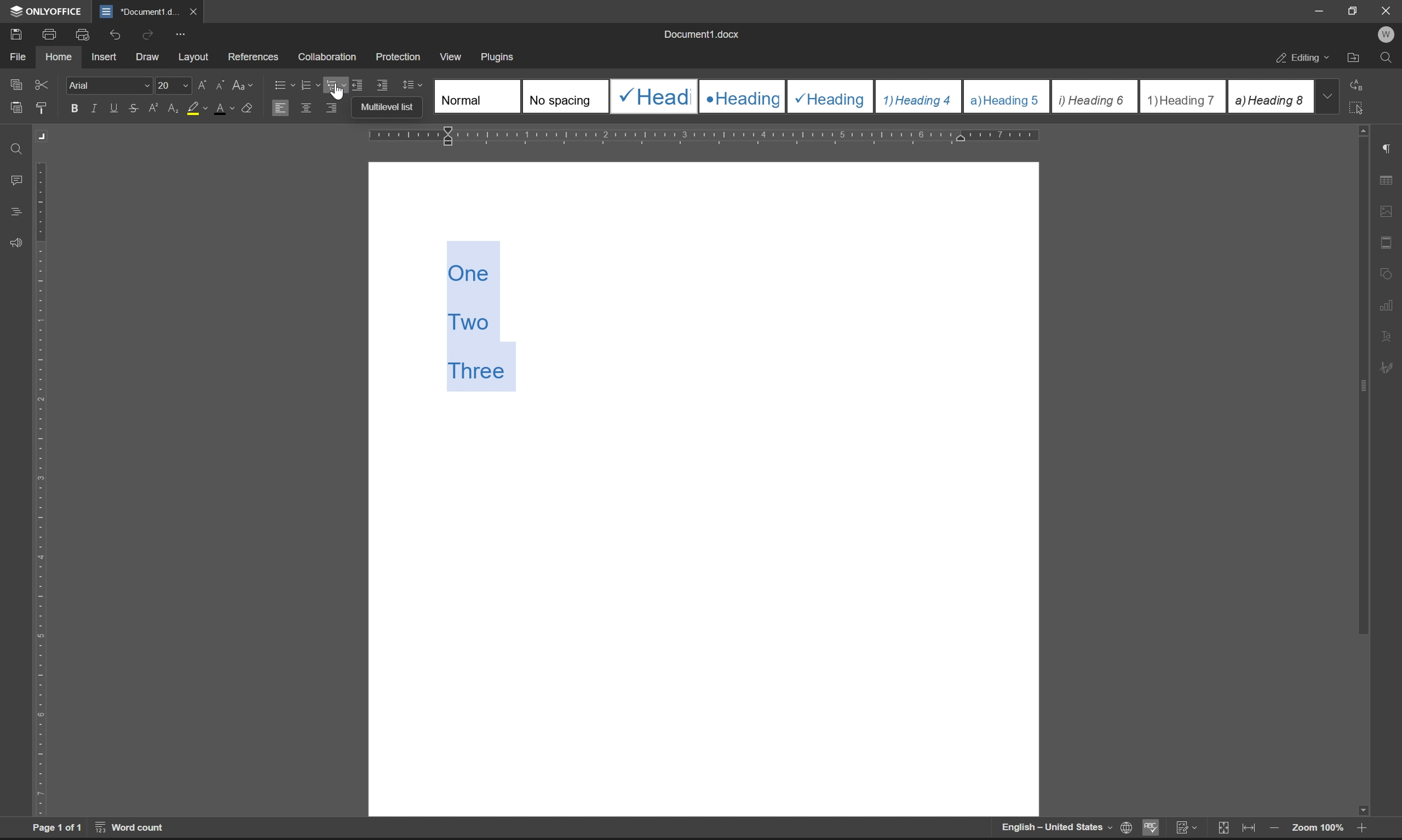 The height and width of the screenshot is (840, 1402). Describe the element at coordinates (1386, 58) in the screenshot. I see `find` at that location.